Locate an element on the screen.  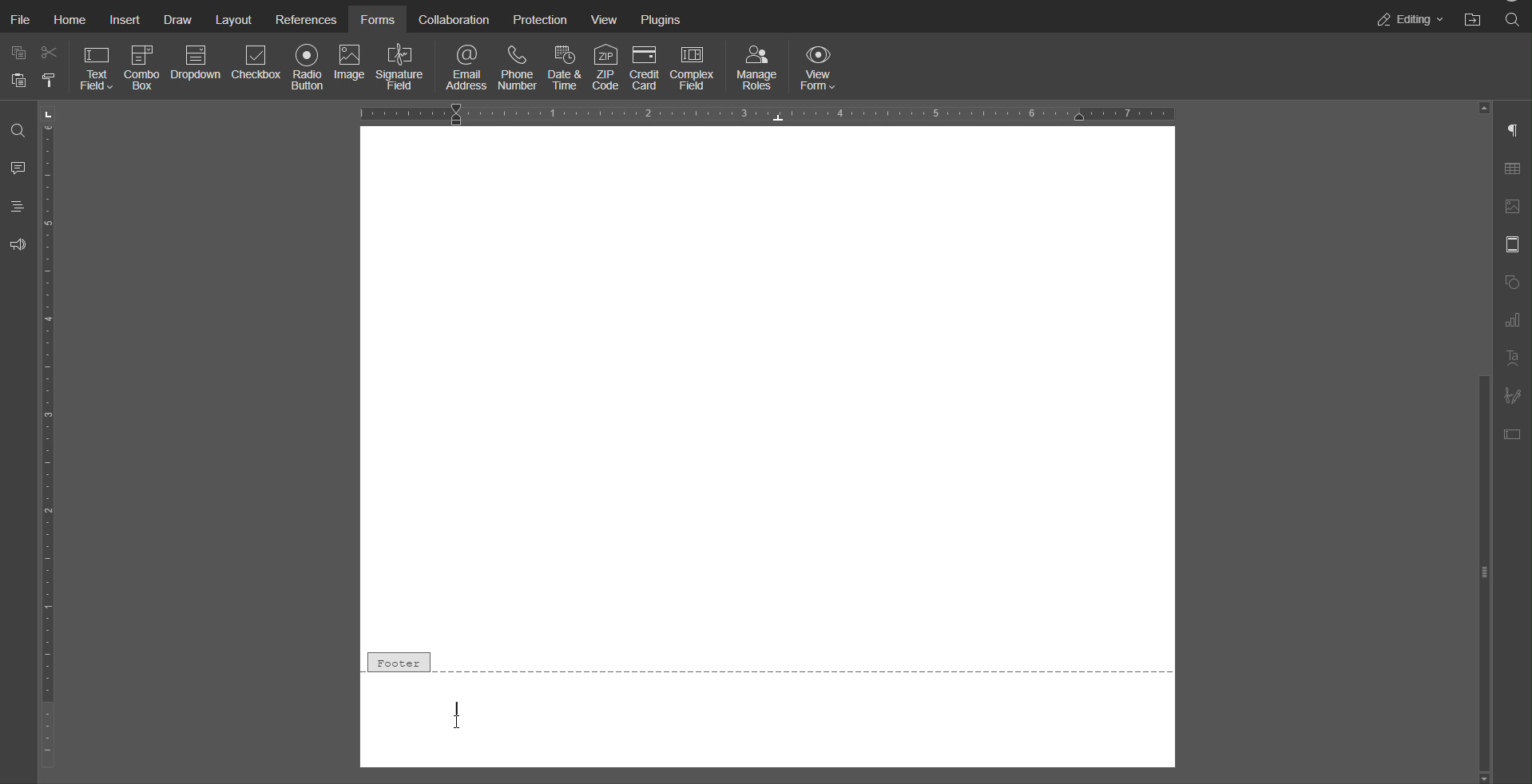
paste is located at coordinates (17, 85).